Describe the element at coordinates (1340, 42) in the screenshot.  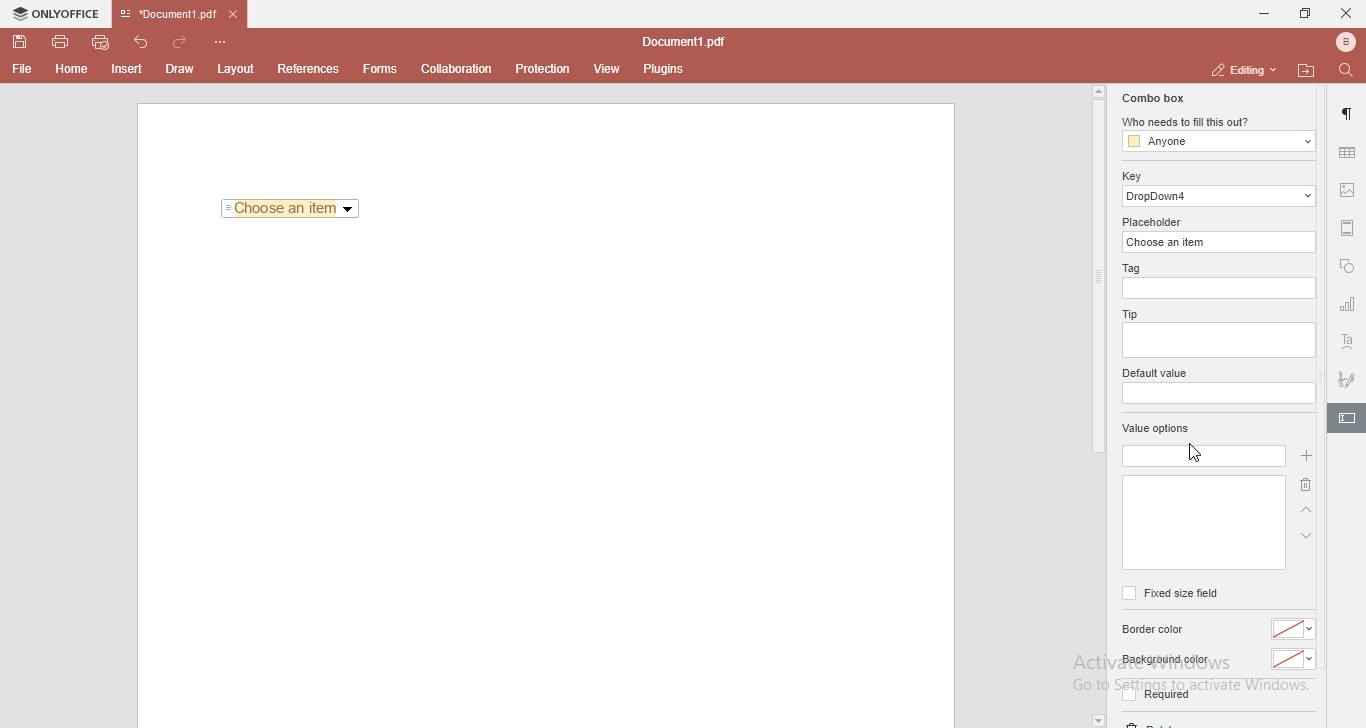
I see `bluetooth` at that location.